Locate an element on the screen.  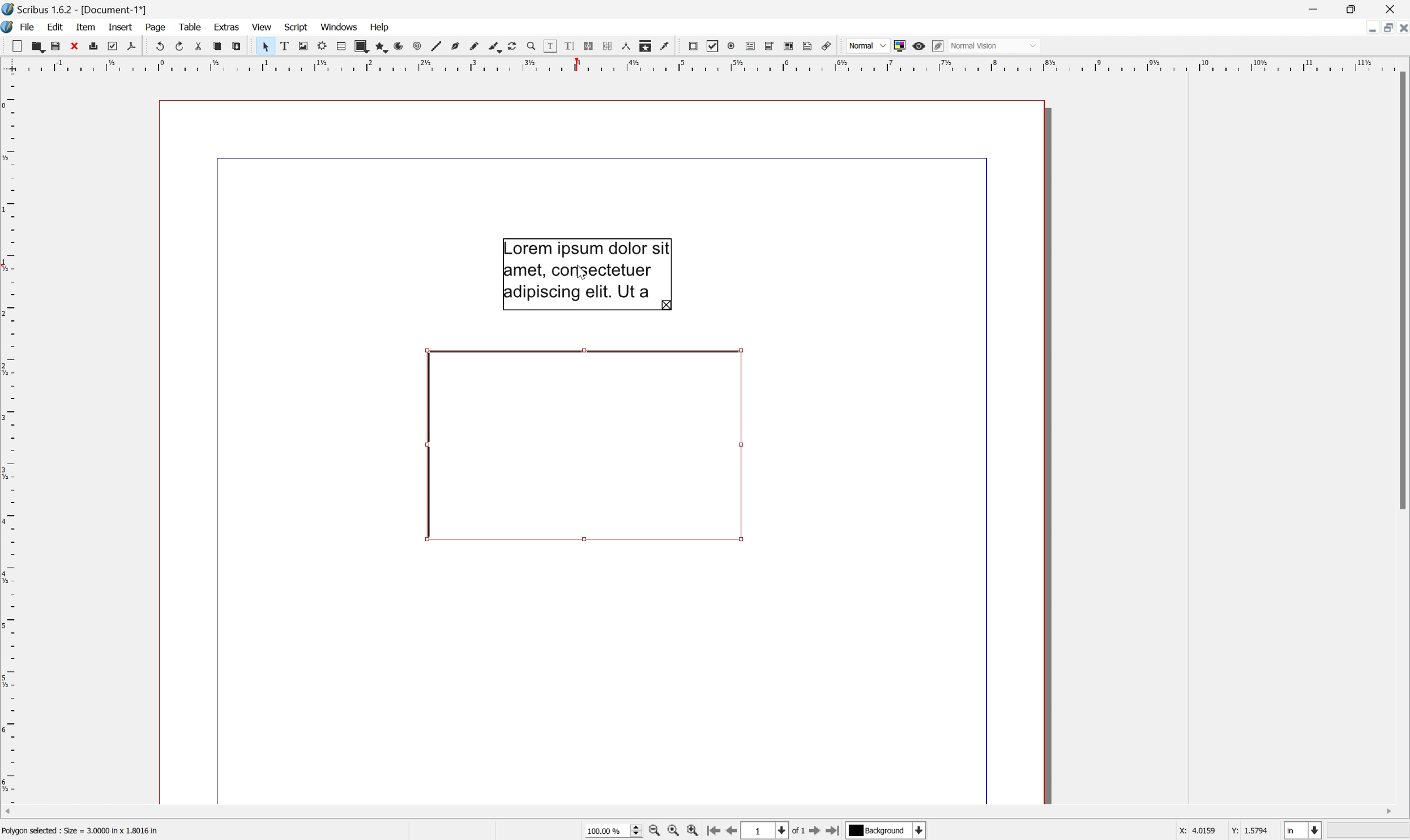
x: 4.0159 is located at coordinates (1195, 833).